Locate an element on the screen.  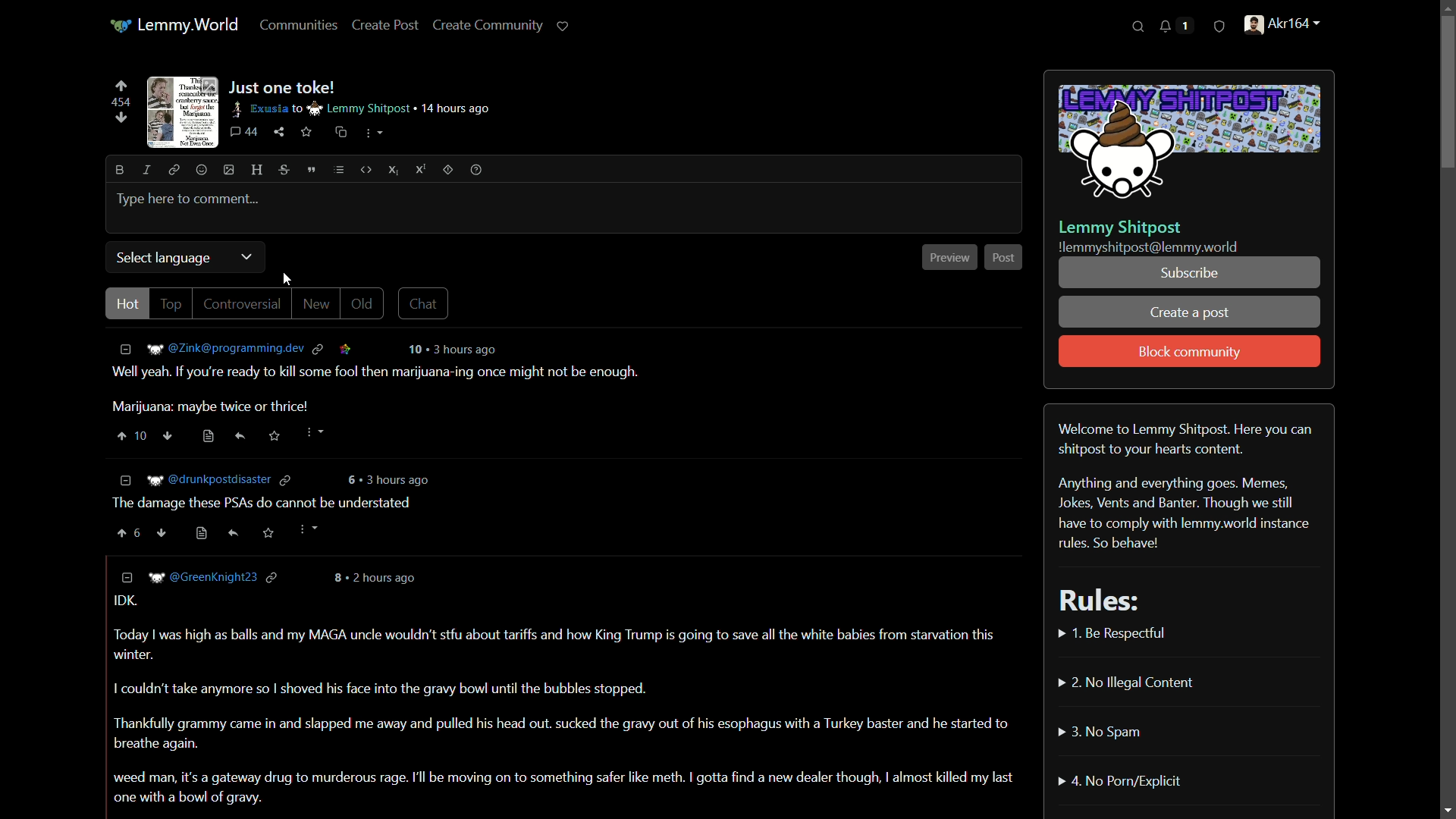
Well yeah. If you're ready to kill some fool then marijuana-ing once might not be enough. Marijuana: maybe twice or thrice! is located at coordinates (366, 389).